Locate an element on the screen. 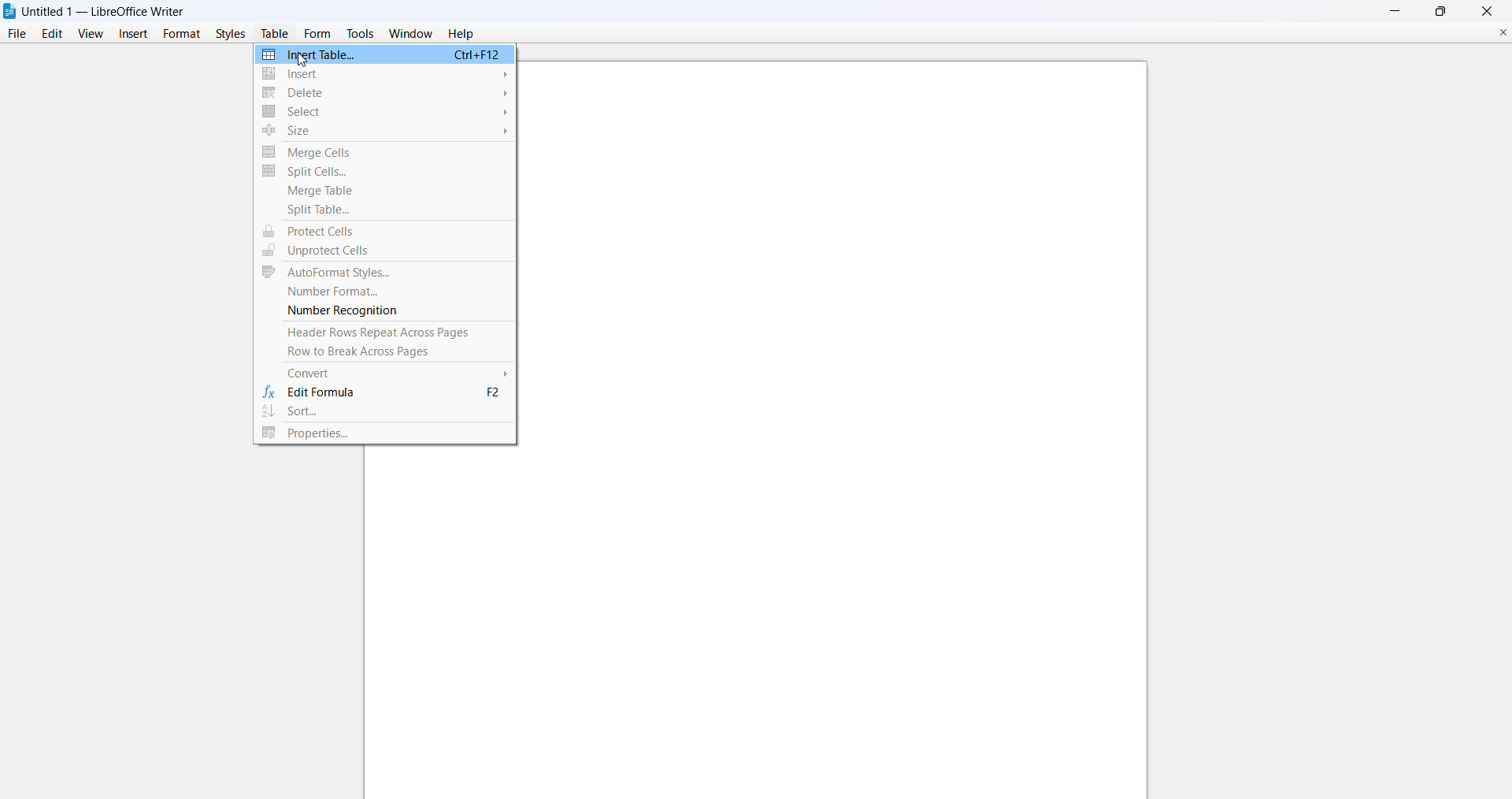 This screenshot has width=1512, height=799. number recognition is located at coordinates (384, 311).